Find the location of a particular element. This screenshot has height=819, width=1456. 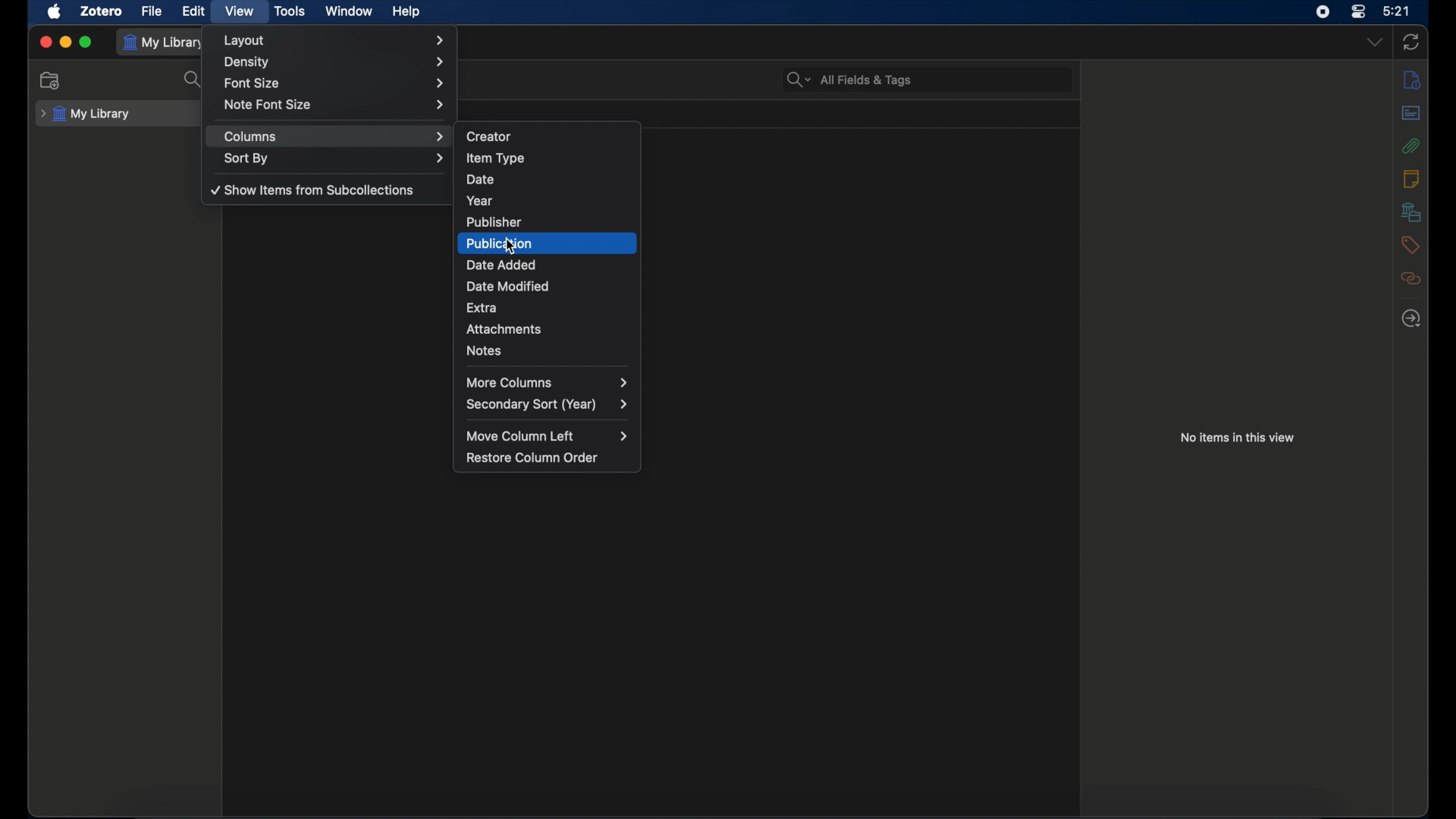

attachments is located at coordinates (1411, 145).